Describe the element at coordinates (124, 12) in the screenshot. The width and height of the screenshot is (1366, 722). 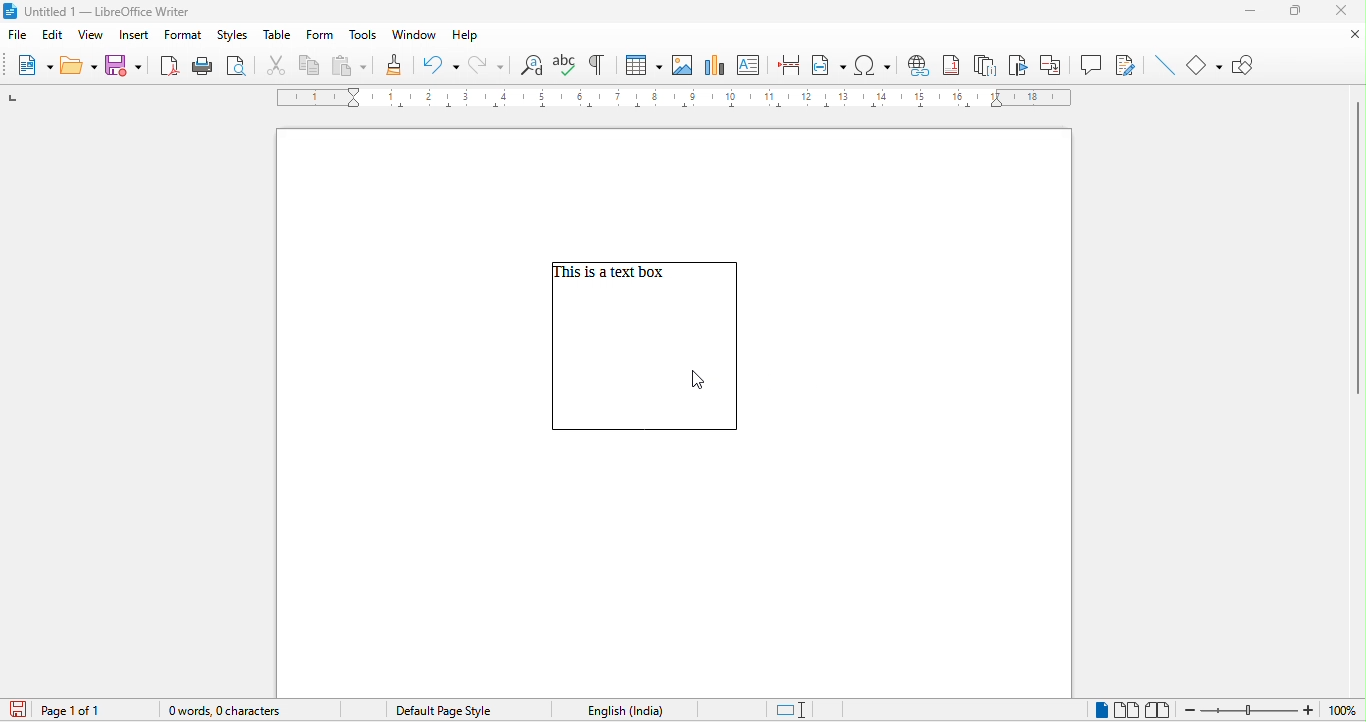
I see `untitied | — Libreoffice writer` at that location.